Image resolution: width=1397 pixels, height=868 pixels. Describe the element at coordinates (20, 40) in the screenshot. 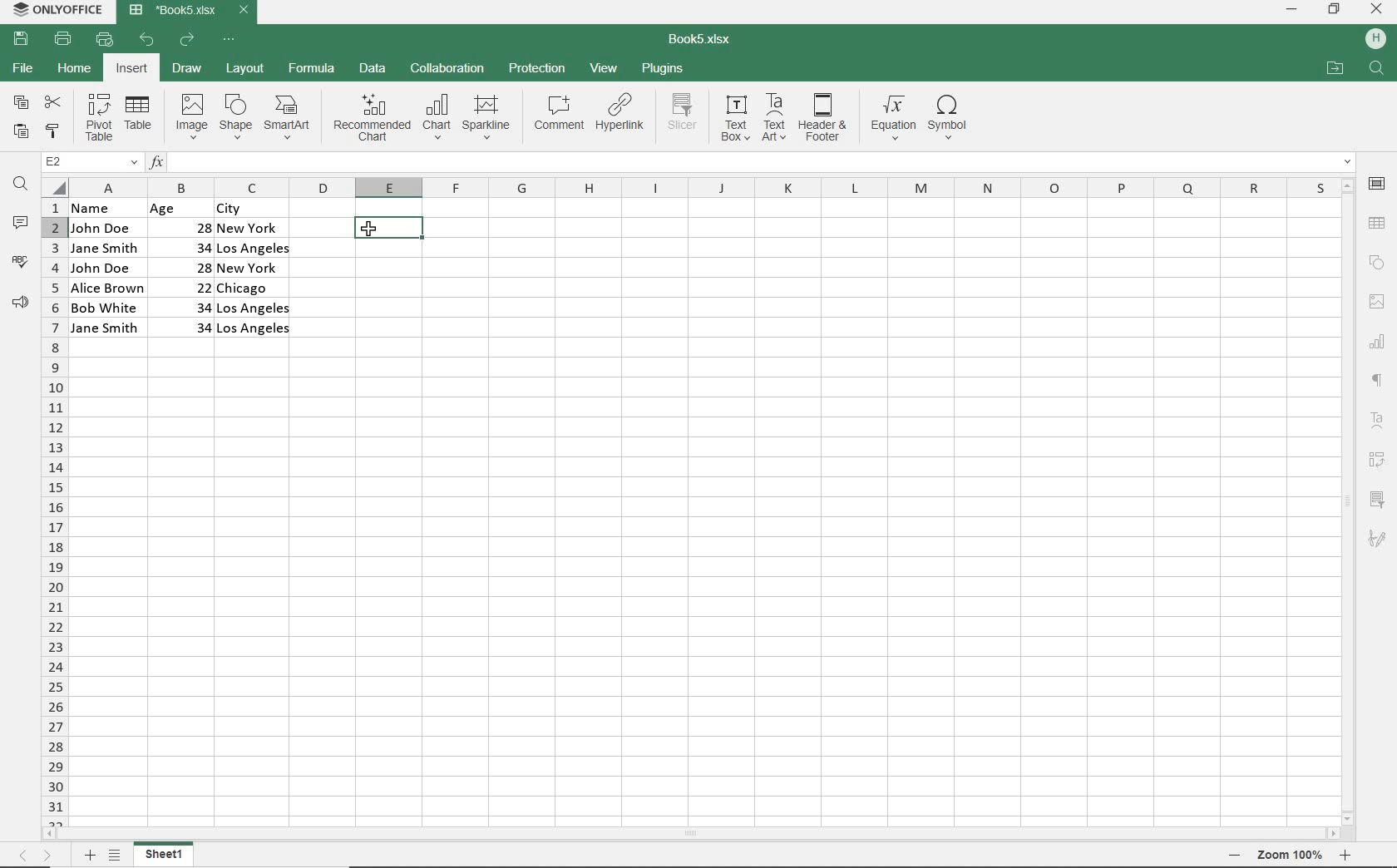

I see `SAVE` at that location.